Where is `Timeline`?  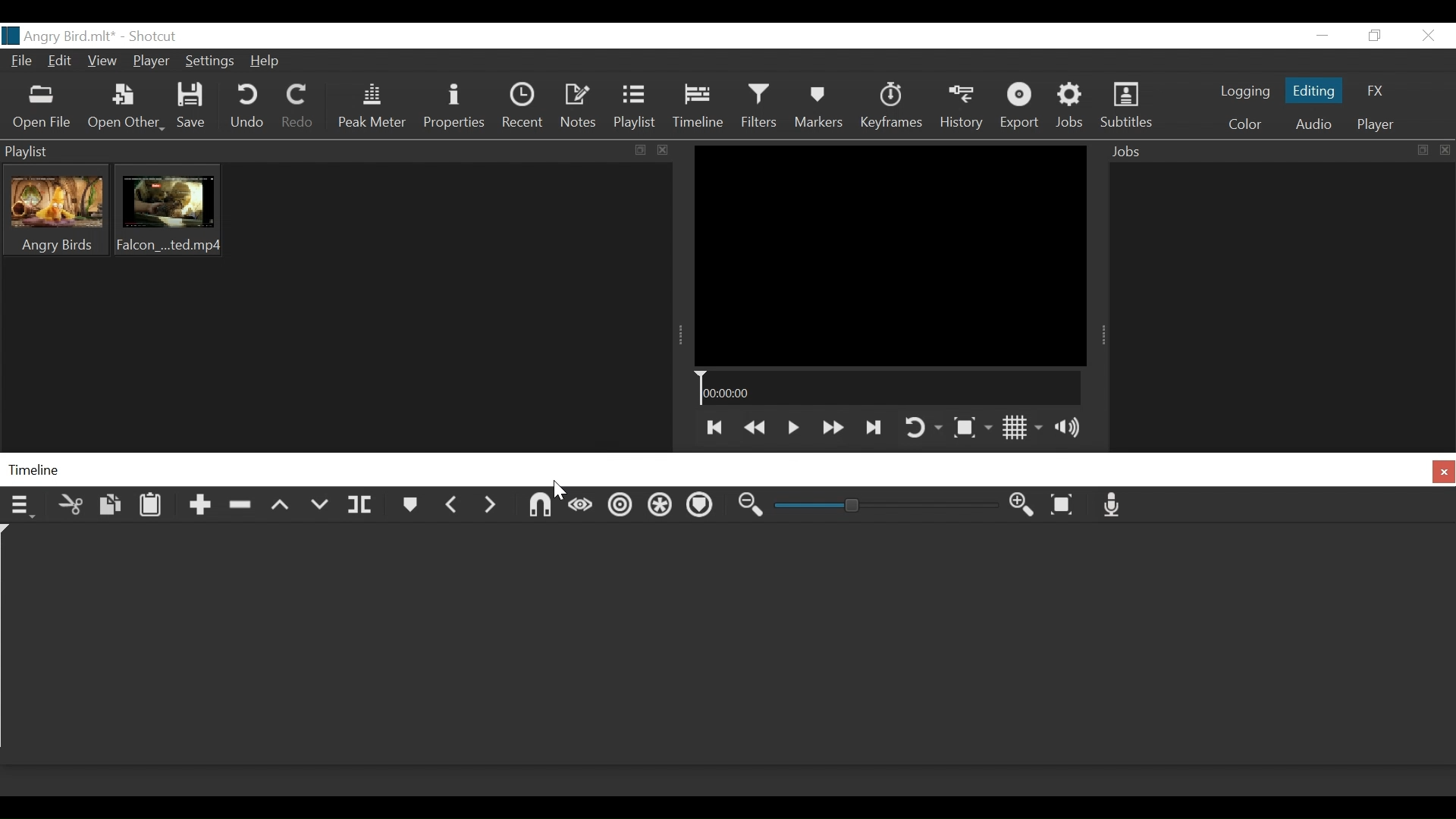
Timeline is located at coordinates (701, 108).